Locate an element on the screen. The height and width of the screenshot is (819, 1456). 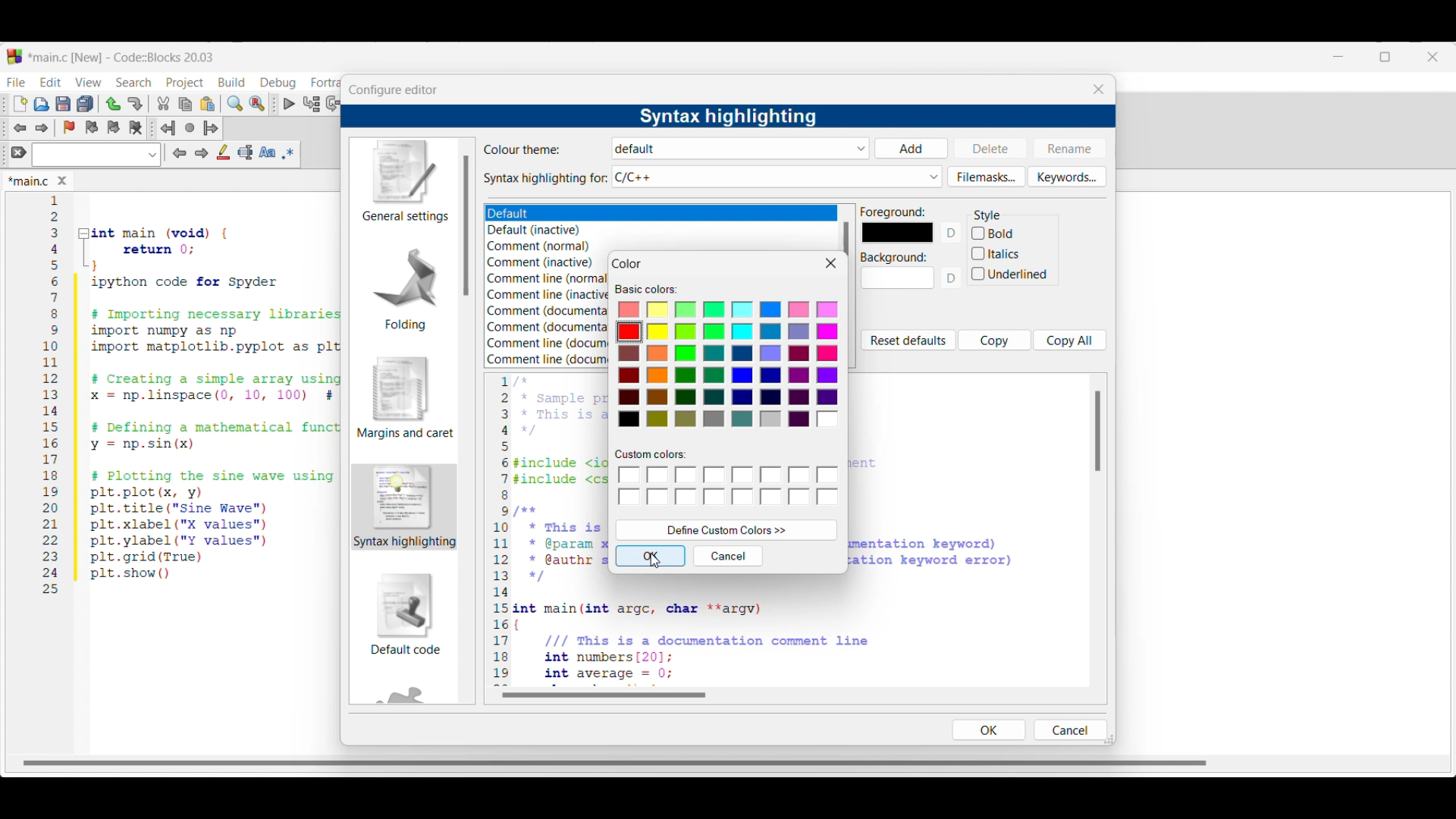
Comment (documentation, inactive) is located at coordinates (544, 328).